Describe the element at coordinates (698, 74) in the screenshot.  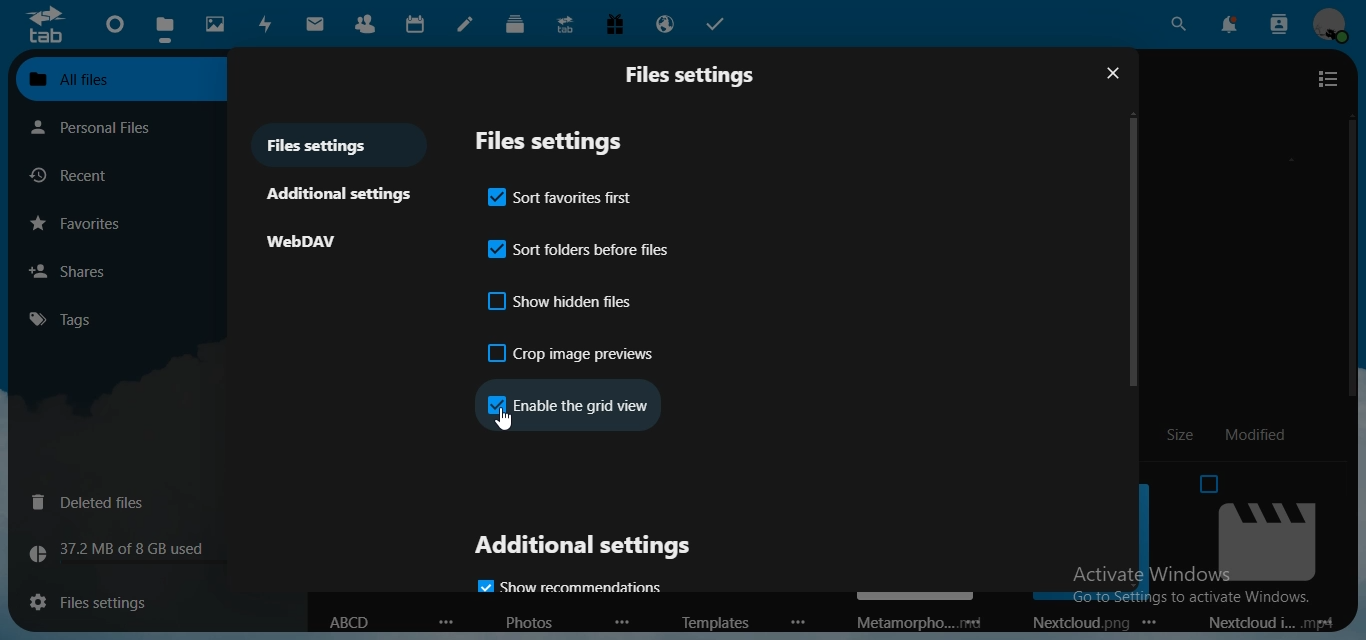
I see `files settings` at that location.